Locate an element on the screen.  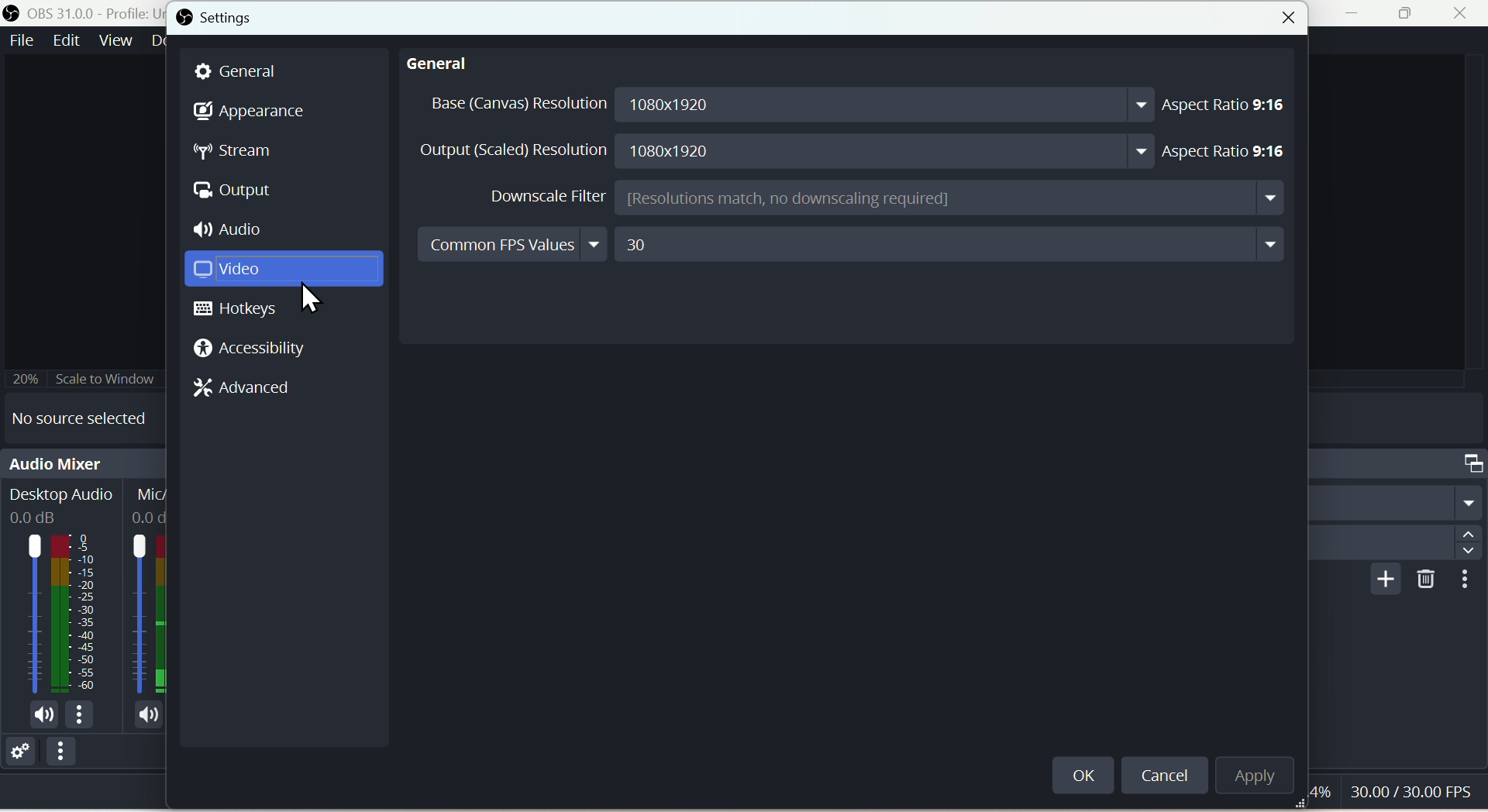
Settings is located at coordinates (219, 17).